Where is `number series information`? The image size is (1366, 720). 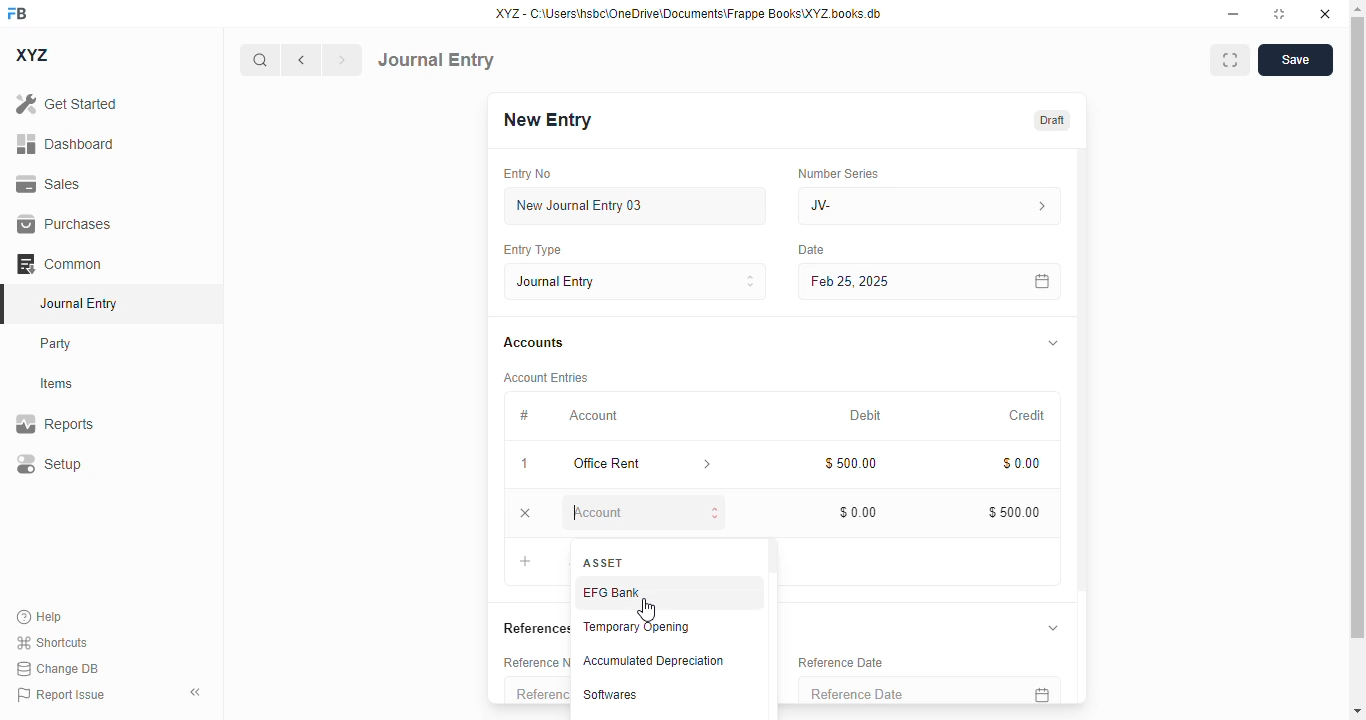
number series information is located at coordinates (1039, 206).